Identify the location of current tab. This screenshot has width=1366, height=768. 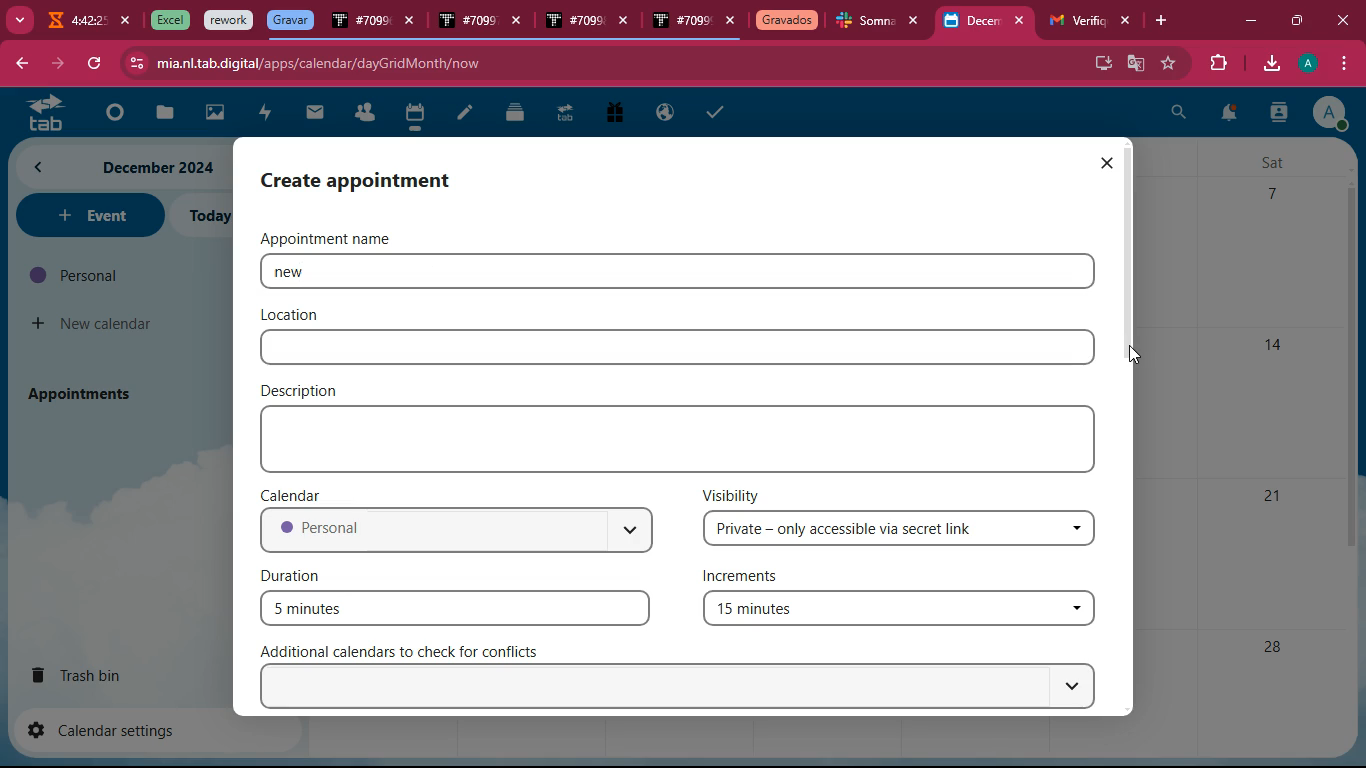
(972, 26).